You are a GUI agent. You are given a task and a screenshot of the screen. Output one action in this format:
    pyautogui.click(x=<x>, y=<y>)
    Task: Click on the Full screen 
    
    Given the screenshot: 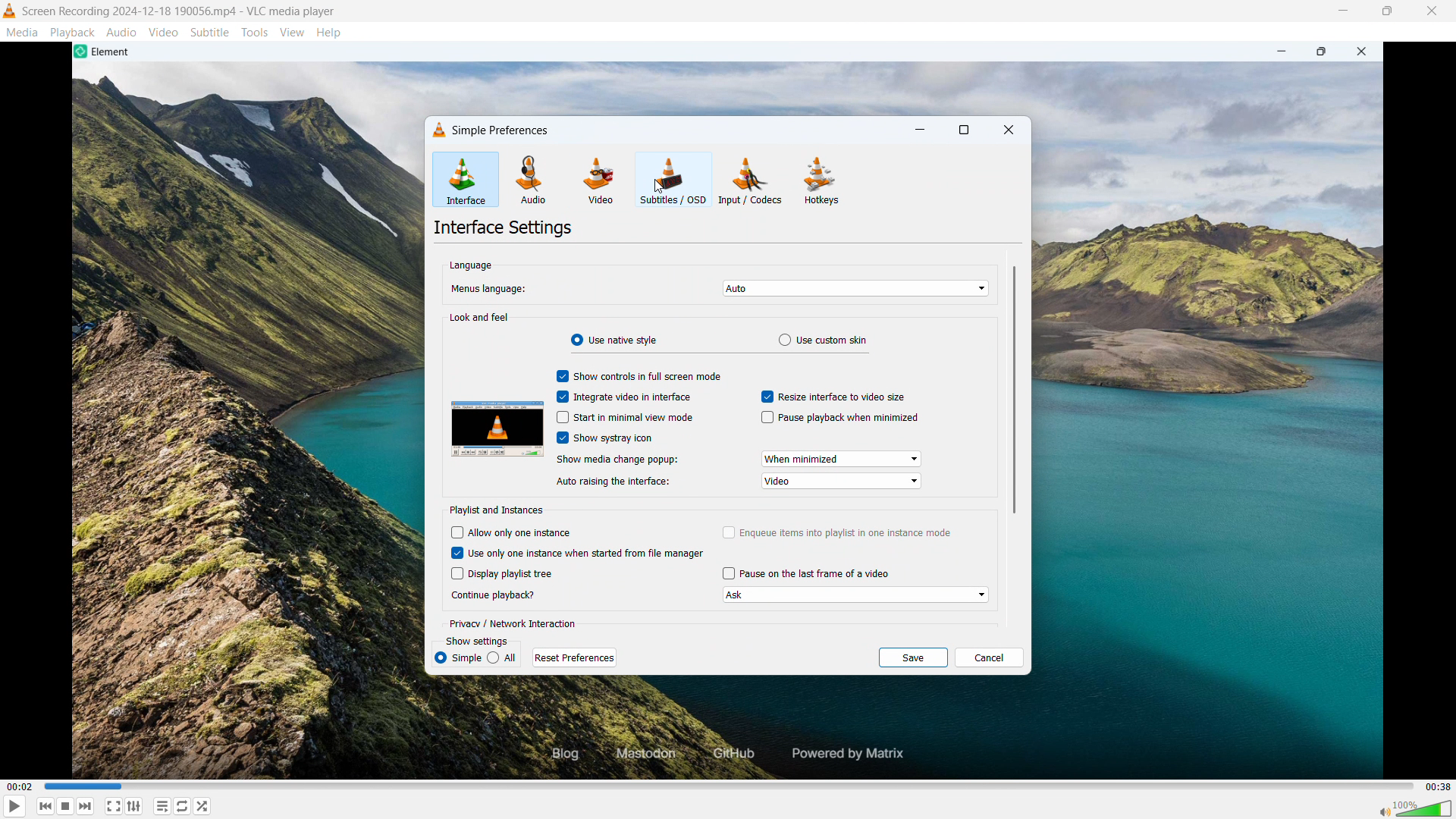 What is the action you would take?
    pyautogui.click(x=114, y=805)
    